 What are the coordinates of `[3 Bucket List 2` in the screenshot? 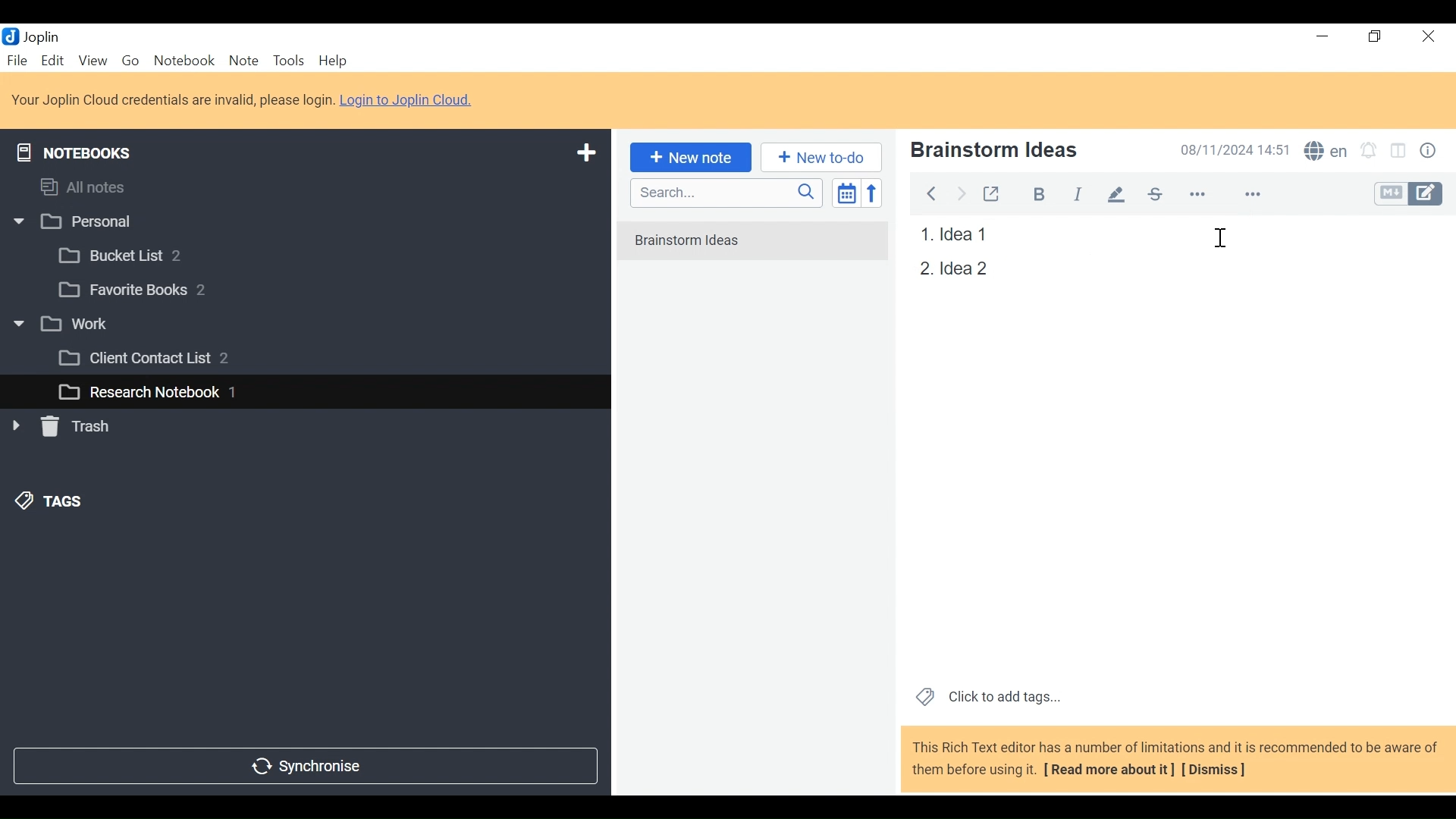 It's located at (149, 254).